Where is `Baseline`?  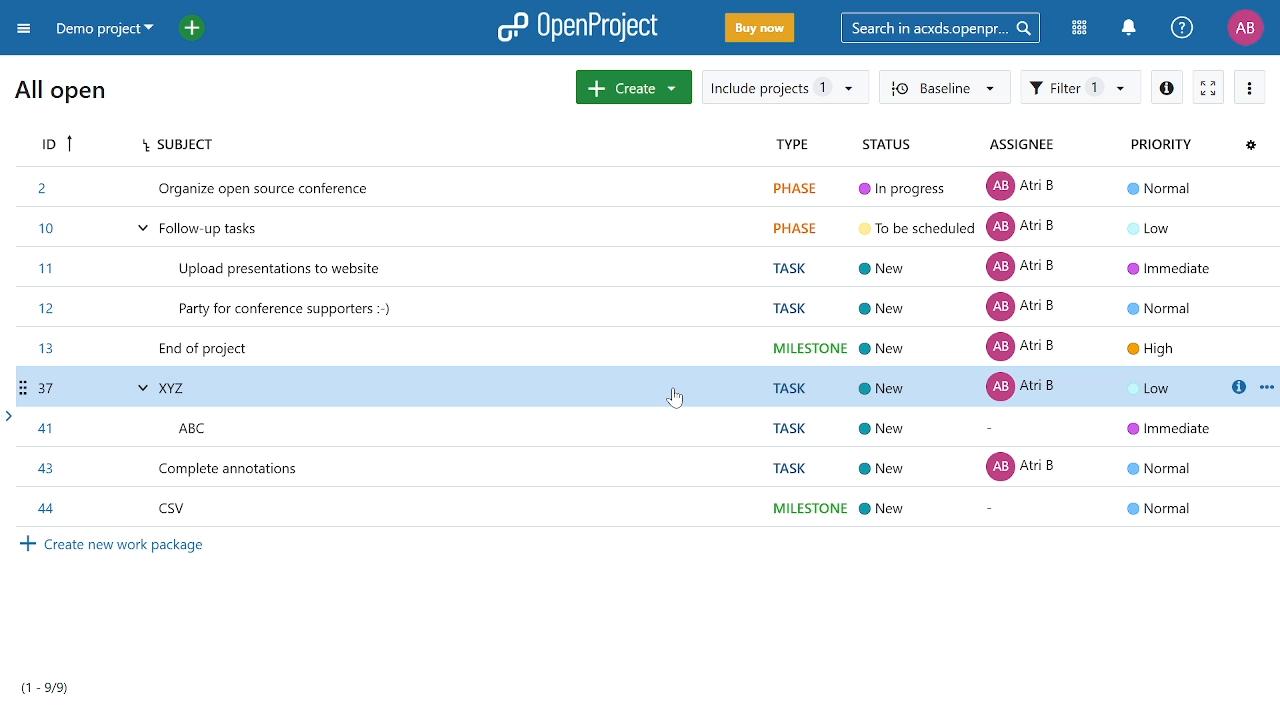
Baseline is located at coordinates (945, 87).